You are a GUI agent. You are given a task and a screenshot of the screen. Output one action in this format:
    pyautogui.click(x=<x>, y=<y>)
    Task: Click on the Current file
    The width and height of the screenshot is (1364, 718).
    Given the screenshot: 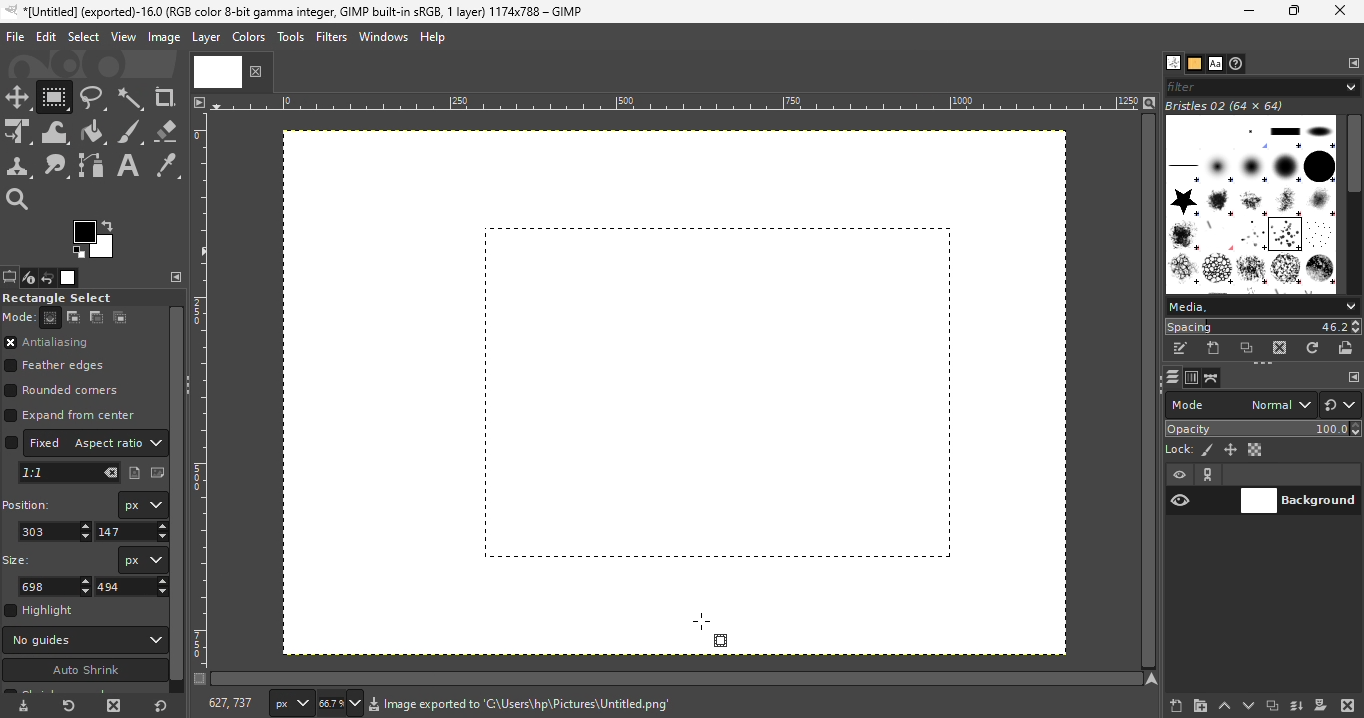 What is the action you would take?
    pyautogui.click(x=217, y=72)
    